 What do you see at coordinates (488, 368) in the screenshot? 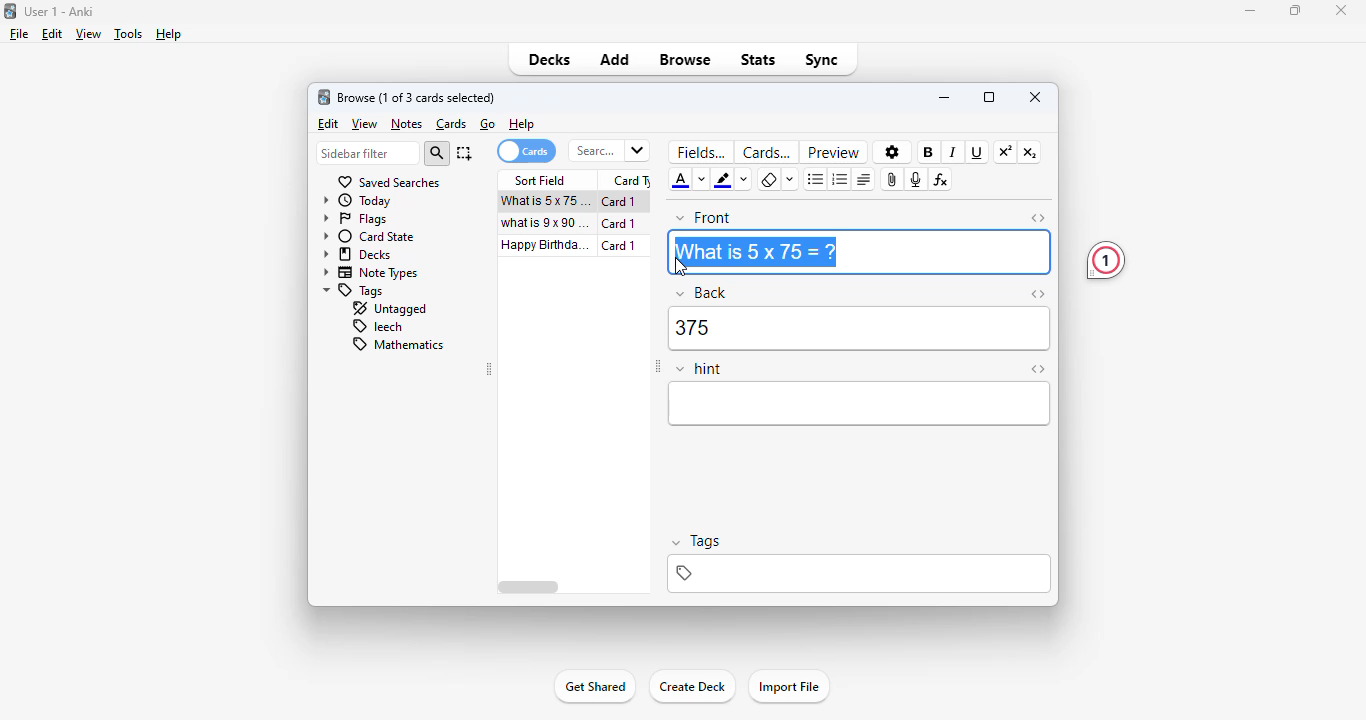
I see `toggle sidebar` at bounding box center [488, 368].